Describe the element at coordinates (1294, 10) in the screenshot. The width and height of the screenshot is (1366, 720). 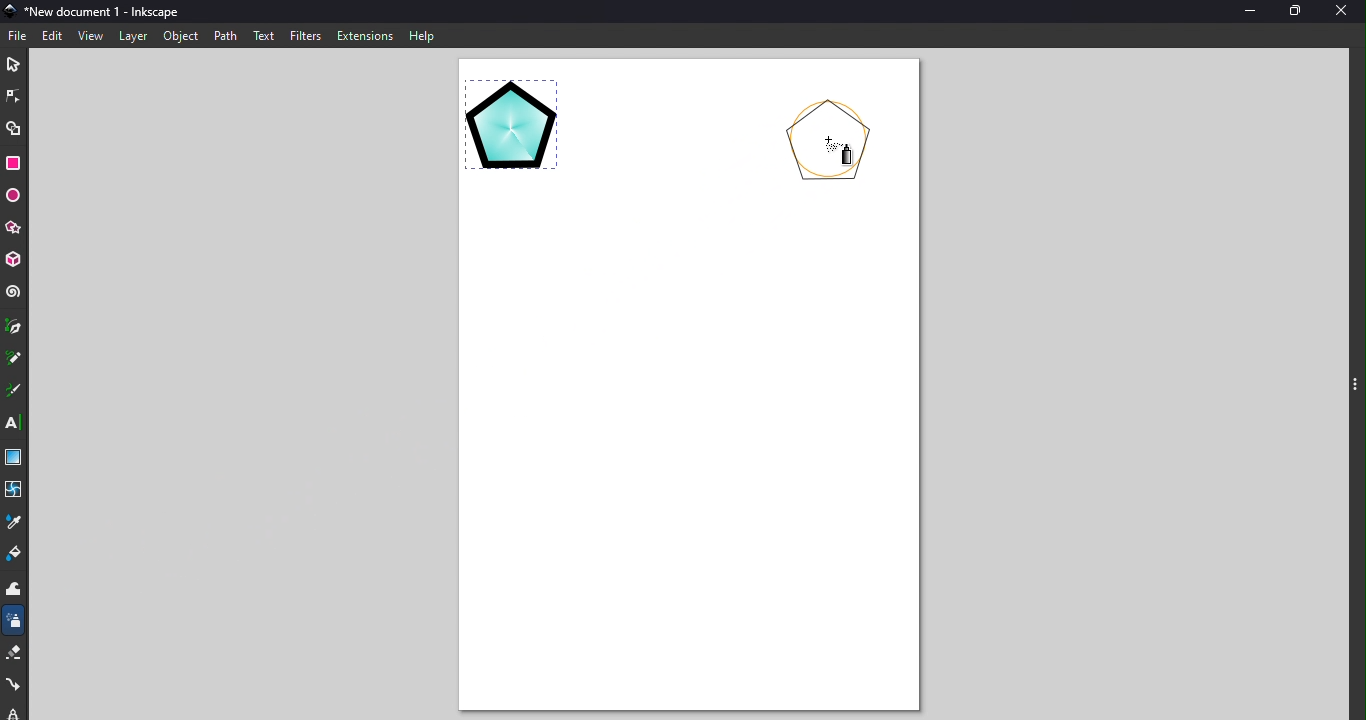
I see `Maximize` at that location.